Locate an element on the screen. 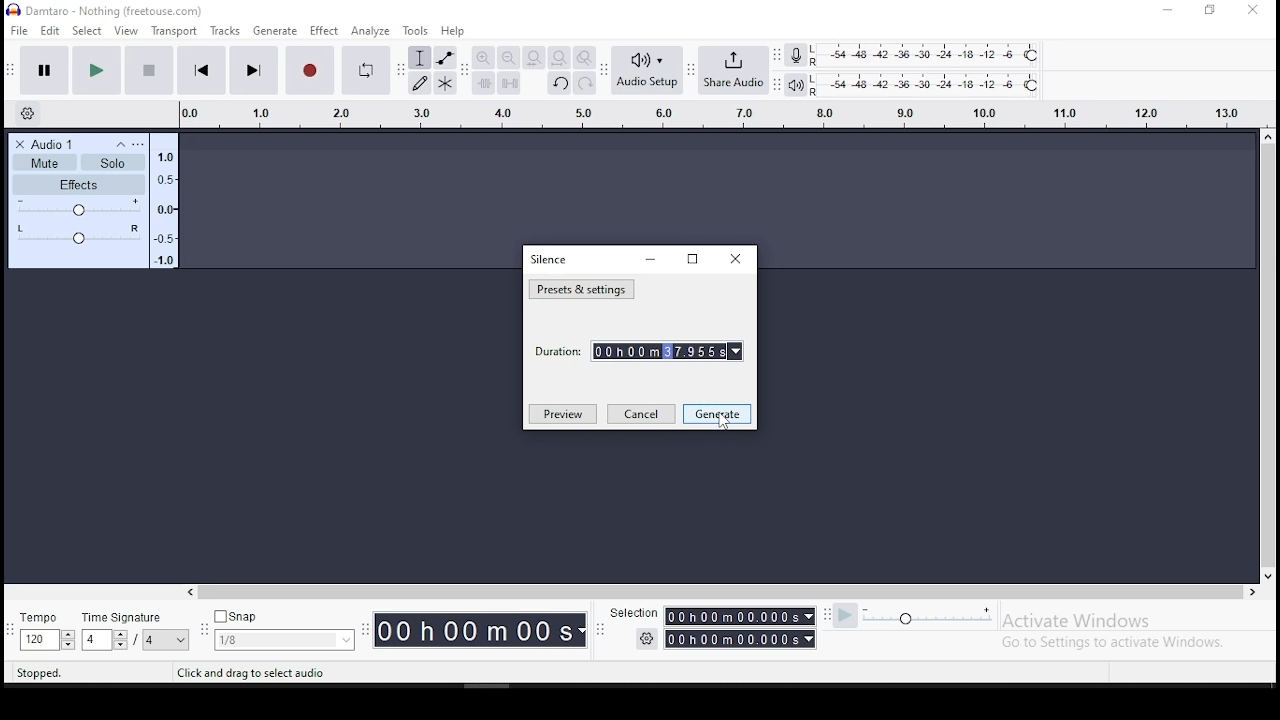 Image resolution: width=1280 pixels, height=720 pixels. timeline settings is located at coordinates (31, 114).